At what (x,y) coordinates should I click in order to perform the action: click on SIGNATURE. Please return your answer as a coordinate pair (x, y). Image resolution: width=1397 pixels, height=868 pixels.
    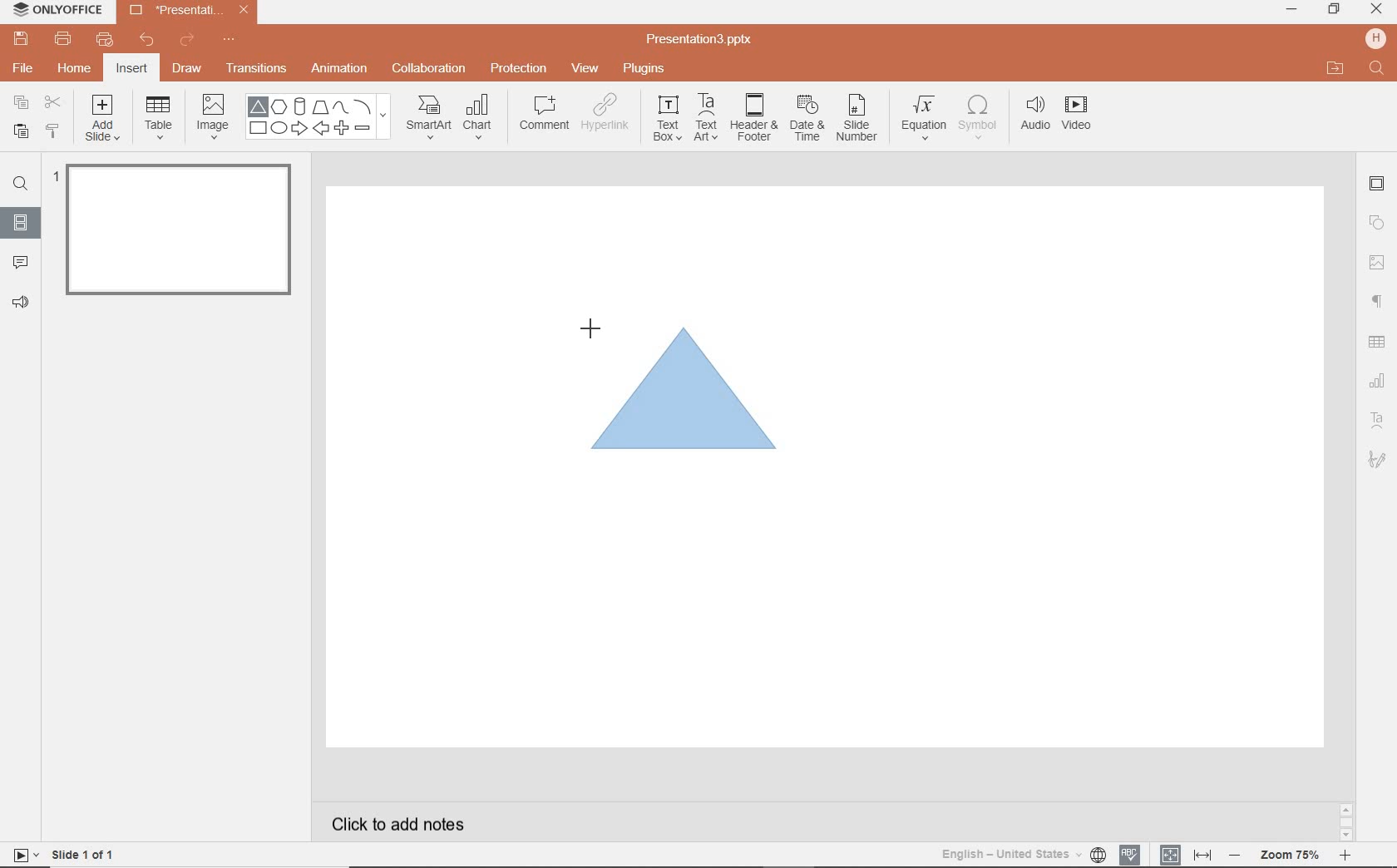
    Looking at the image, I should click on (1380, 458).